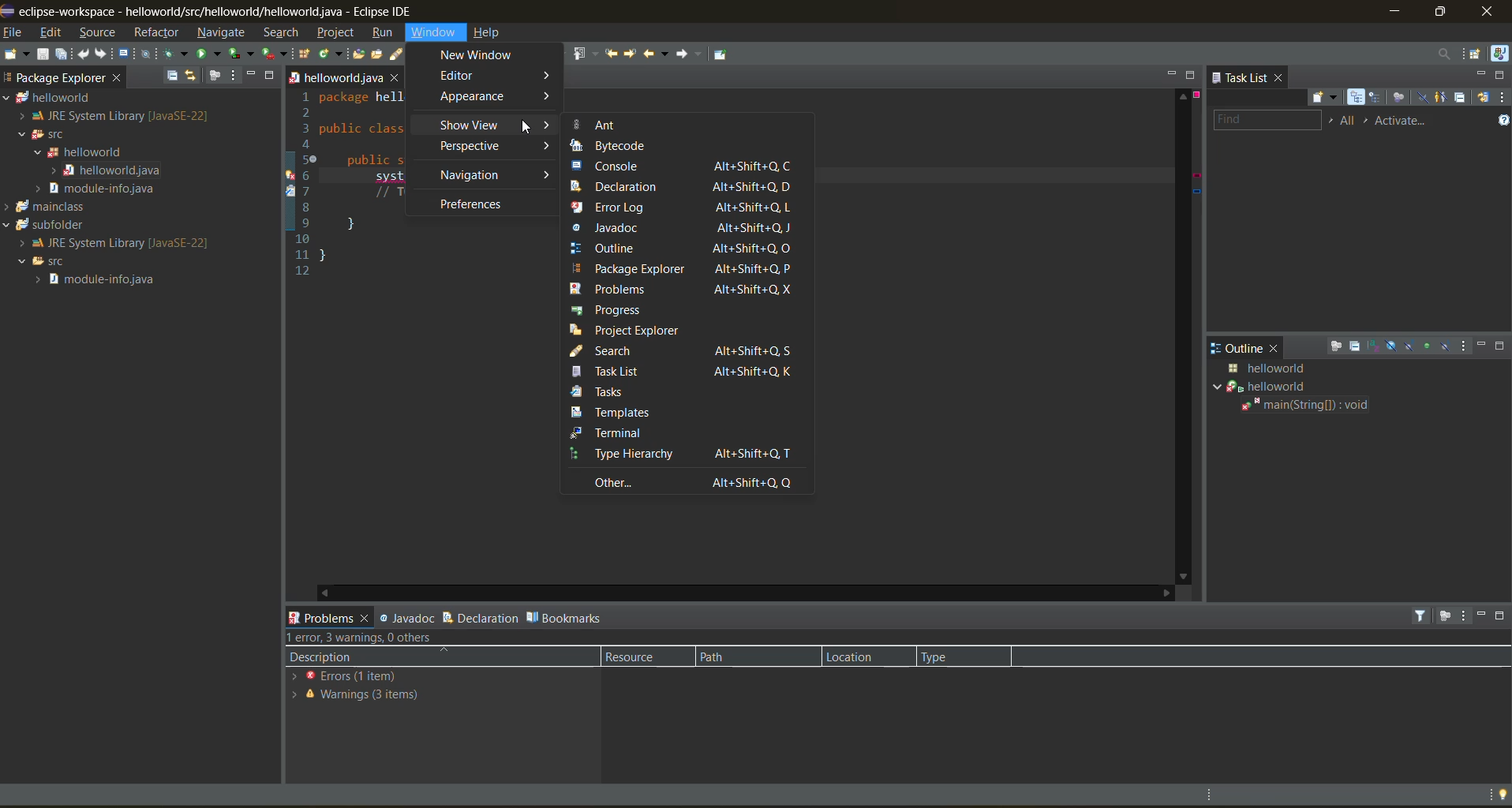 The height and width of the screenshot is (808, 1512). What do you see at coordinates (71, 208) in the screenshot?
I see `mainclass` at bounding box center [71, 208].